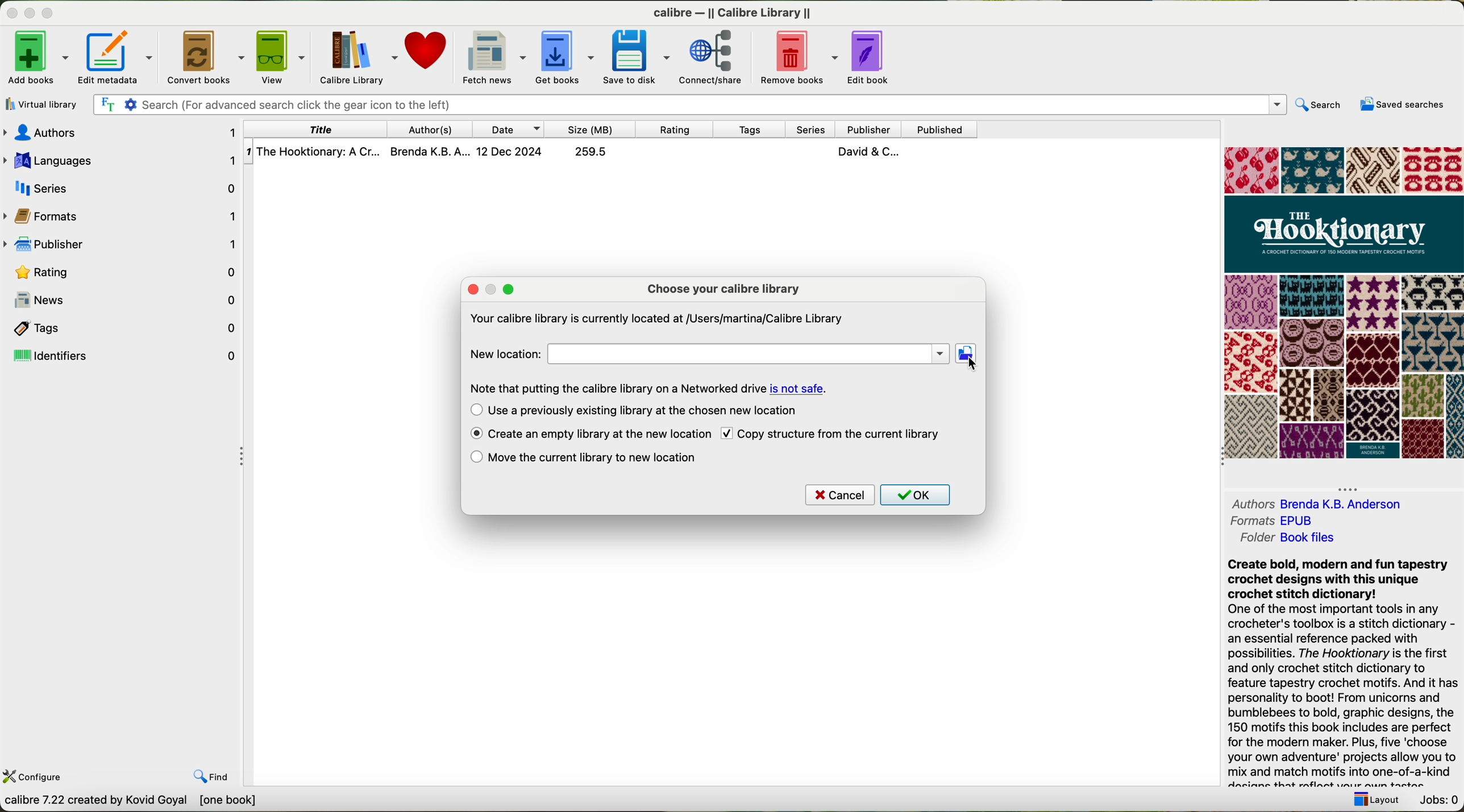 The width and height of the screenshot is (1464, 812). I want to click on click on new location, so click(967, 355).